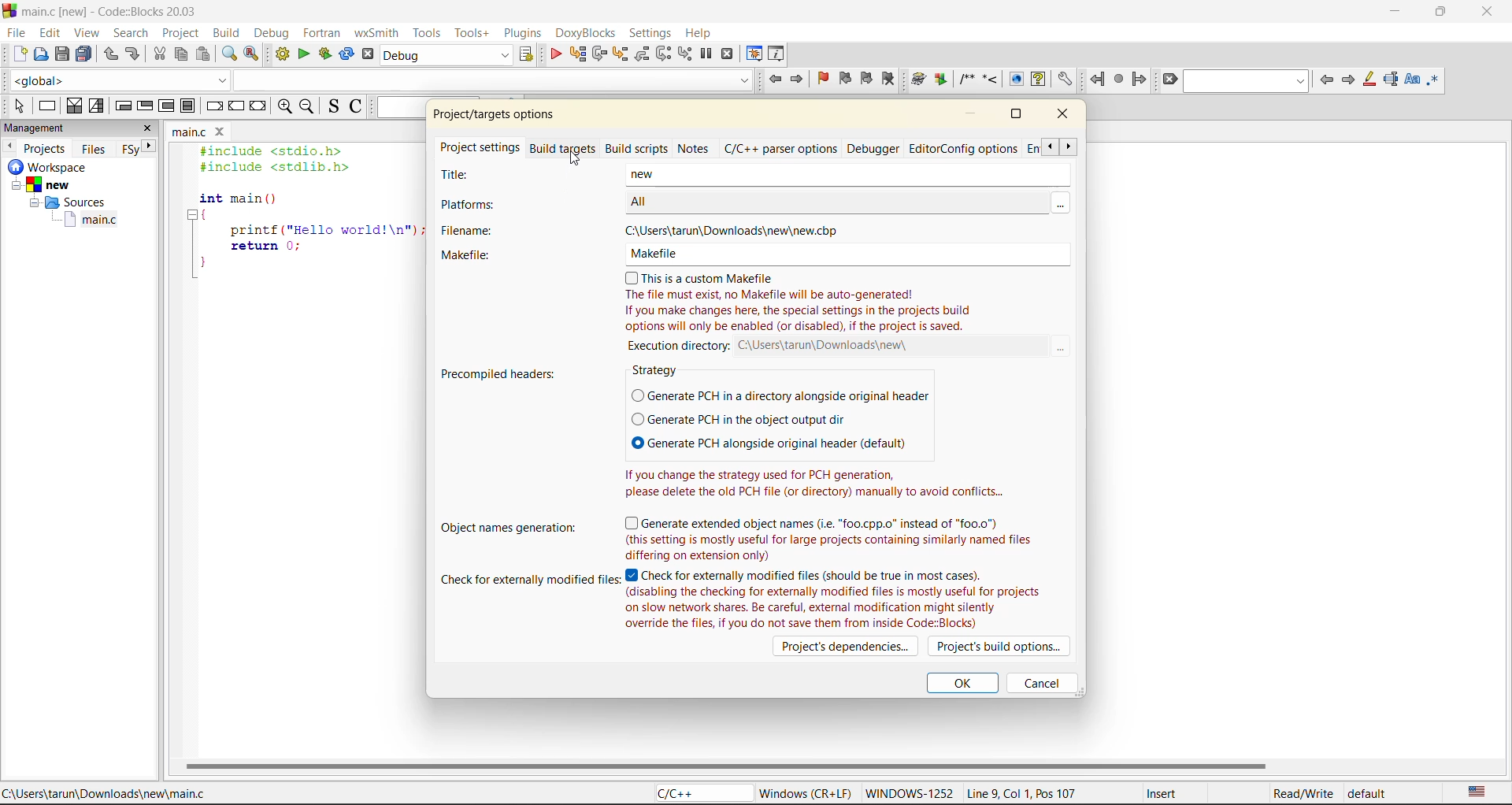  Describe the element at coordinates (50, 32) in the screenshot. I see `edit` at that location.